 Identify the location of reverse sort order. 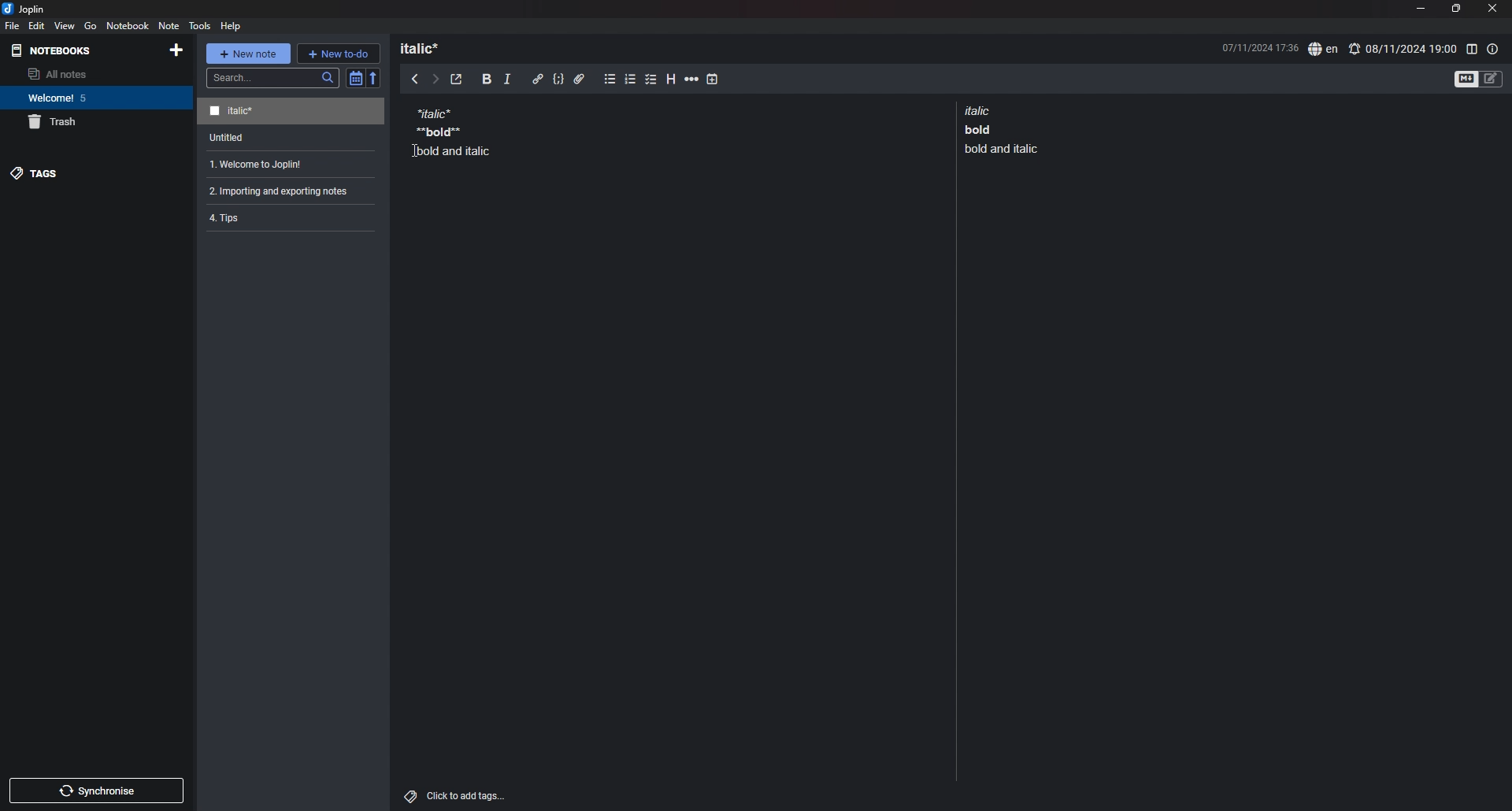
(374, 77).